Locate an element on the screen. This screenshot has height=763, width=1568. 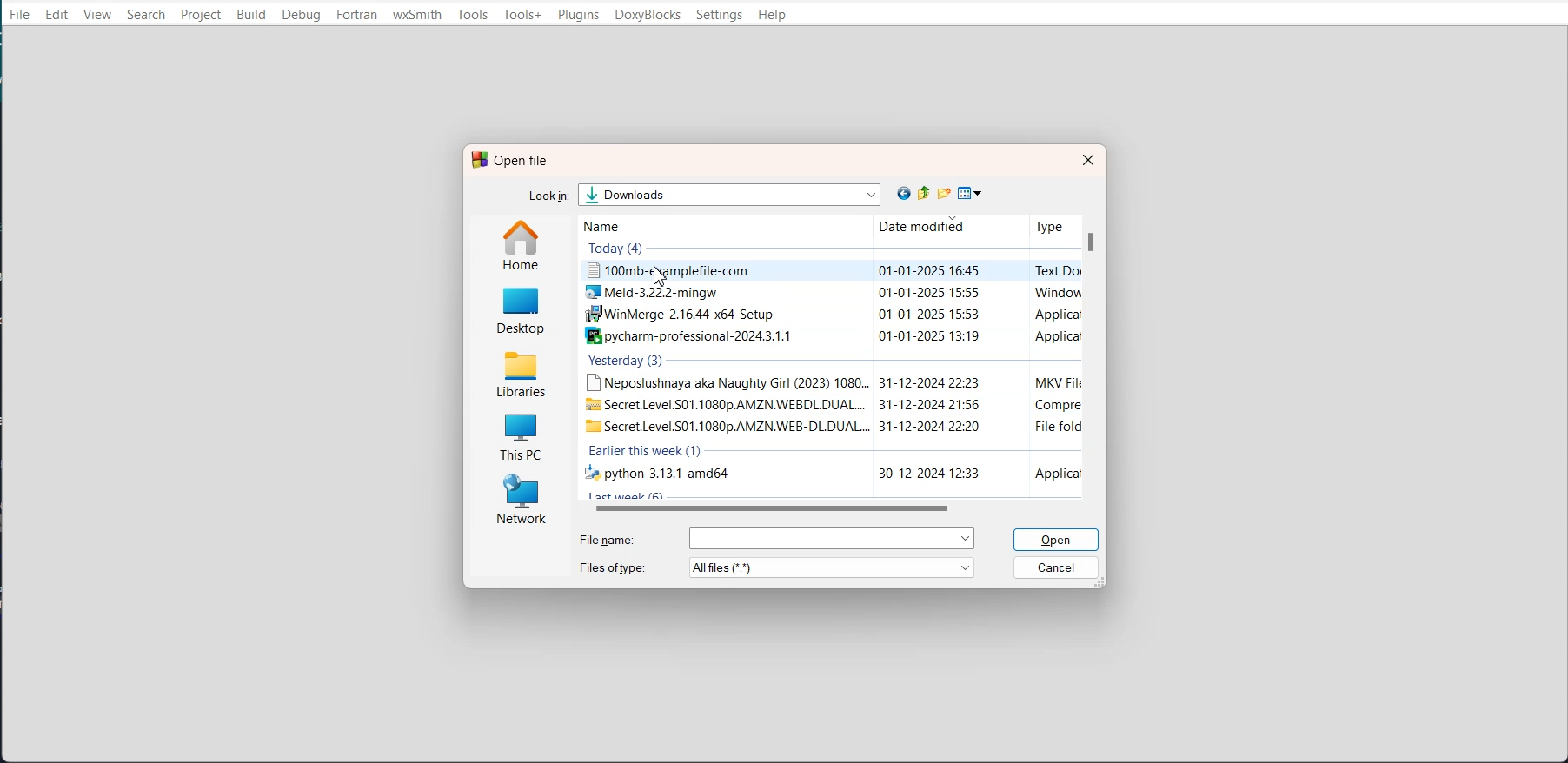
Naughty Girl (2023) is located at coordinates (828, 381).